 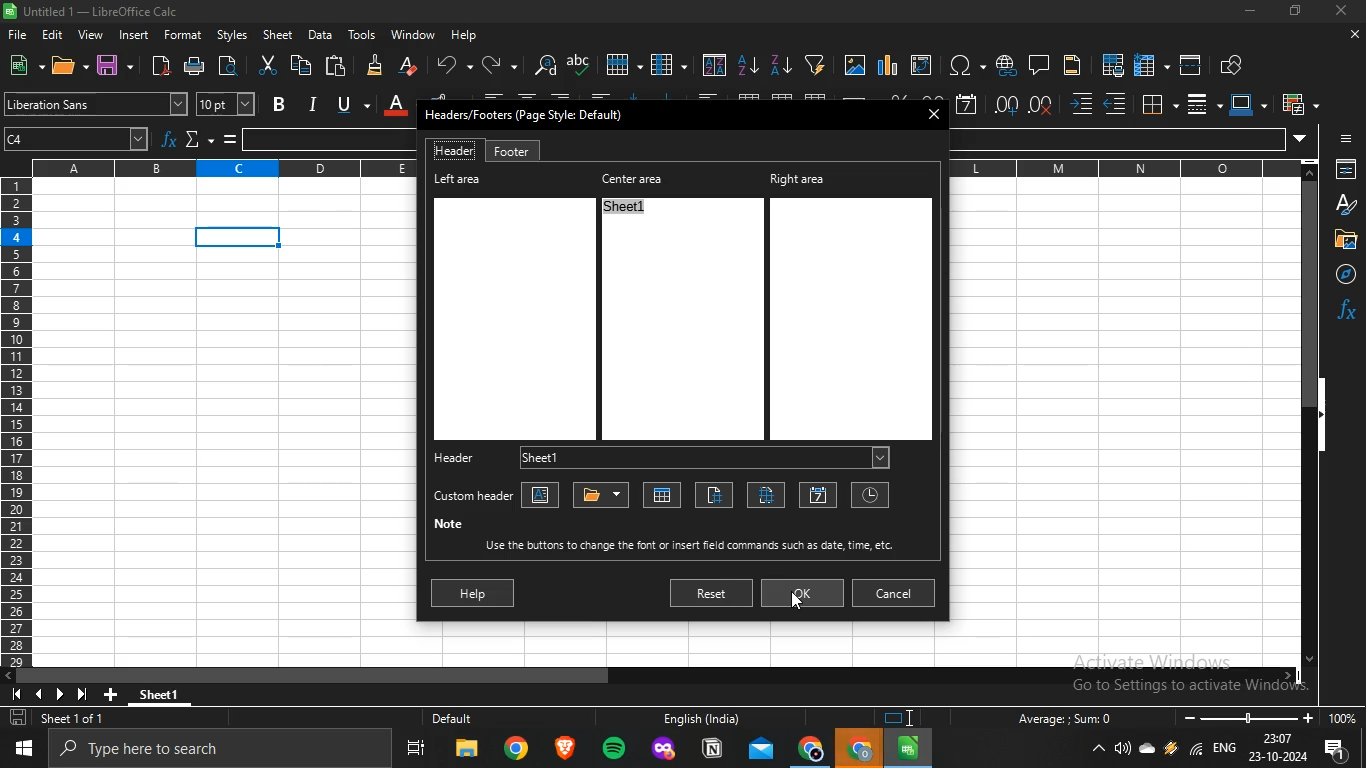 What do you see at coordinates (417, 752) in the screenshot?
I see `task view` at bounding box center [417, 752].